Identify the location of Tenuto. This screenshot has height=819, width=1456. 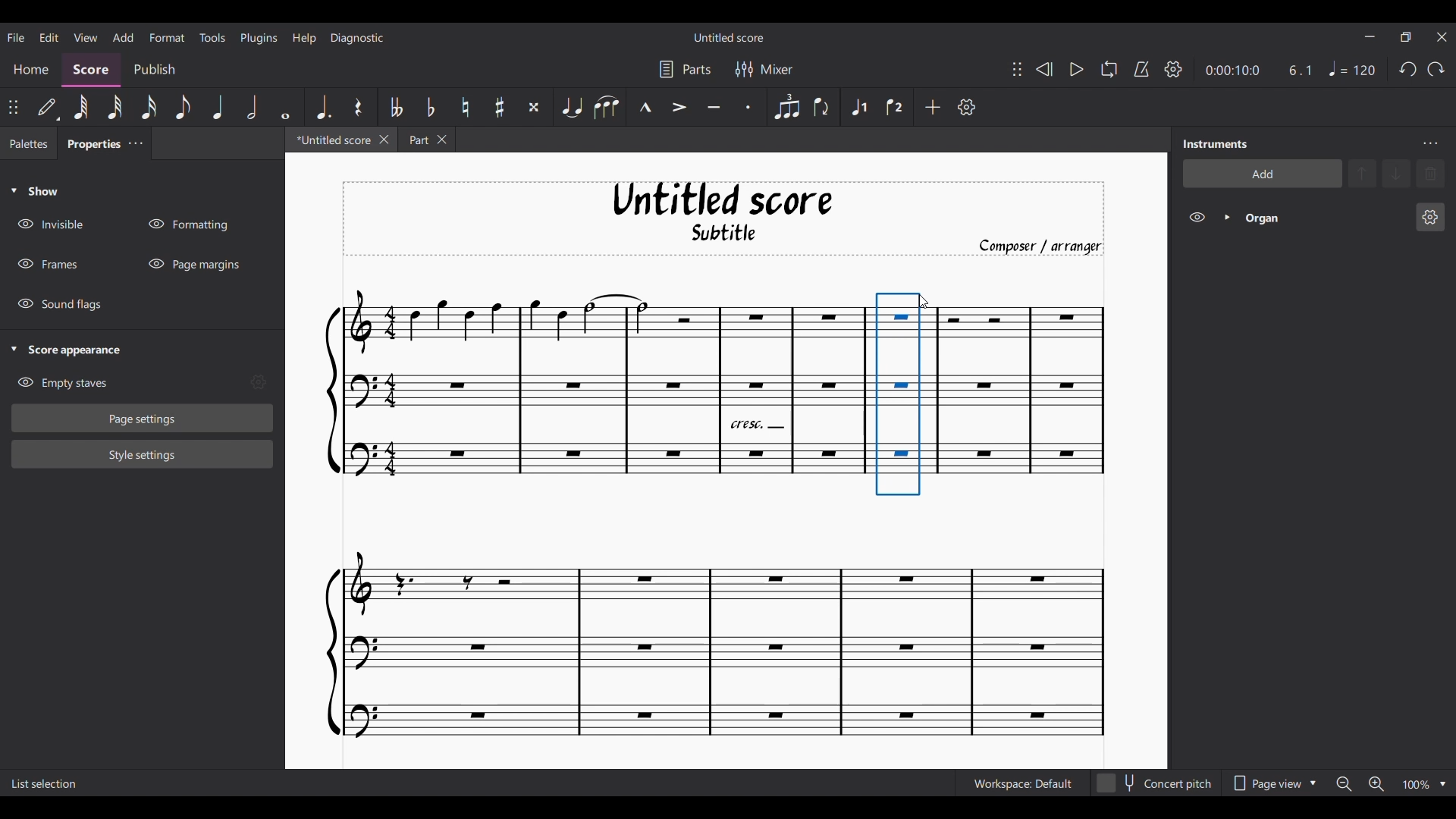
(715, 107).